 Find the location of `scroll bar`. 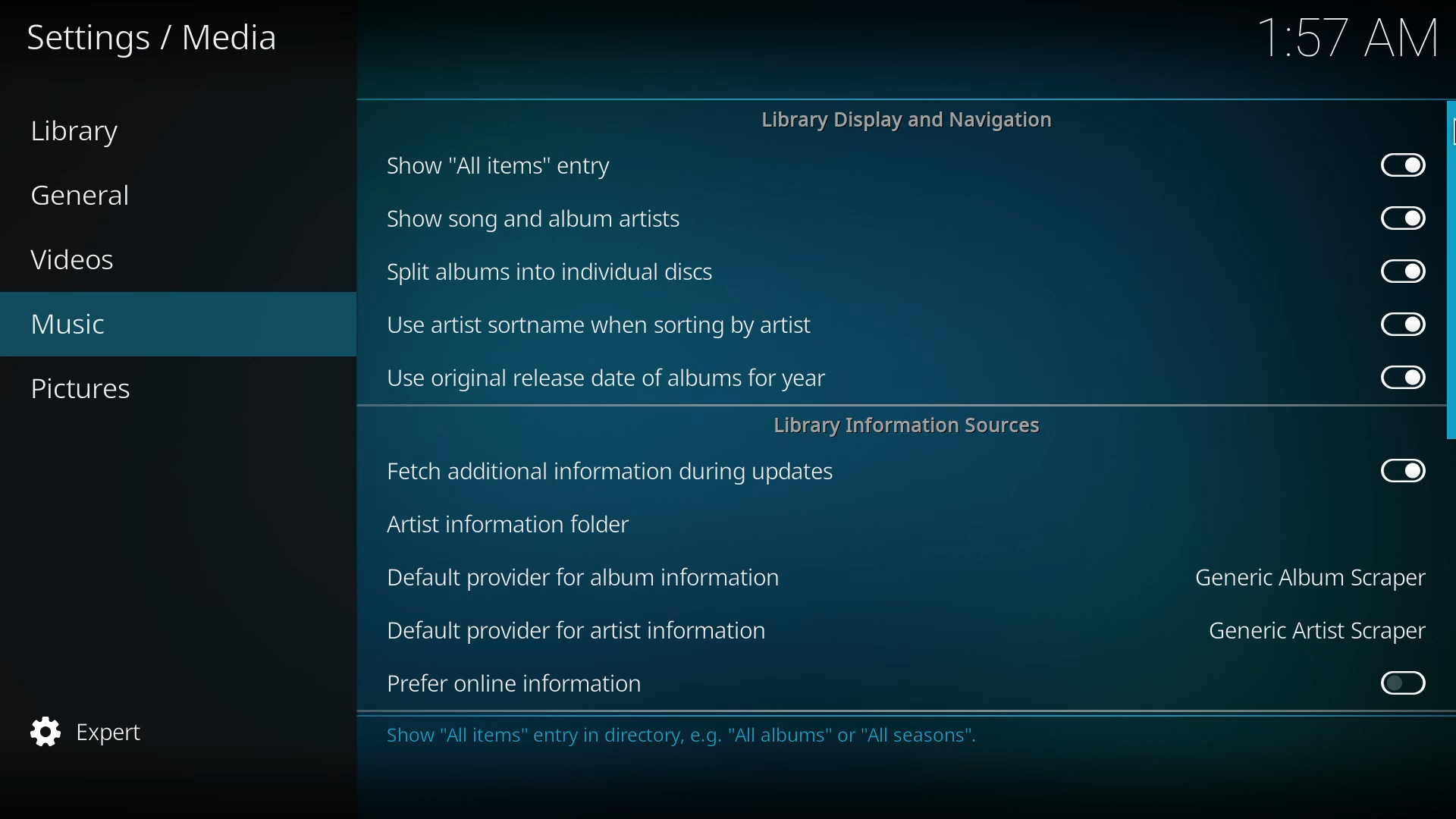

scroll bar is located at coordinates (1447, 272).